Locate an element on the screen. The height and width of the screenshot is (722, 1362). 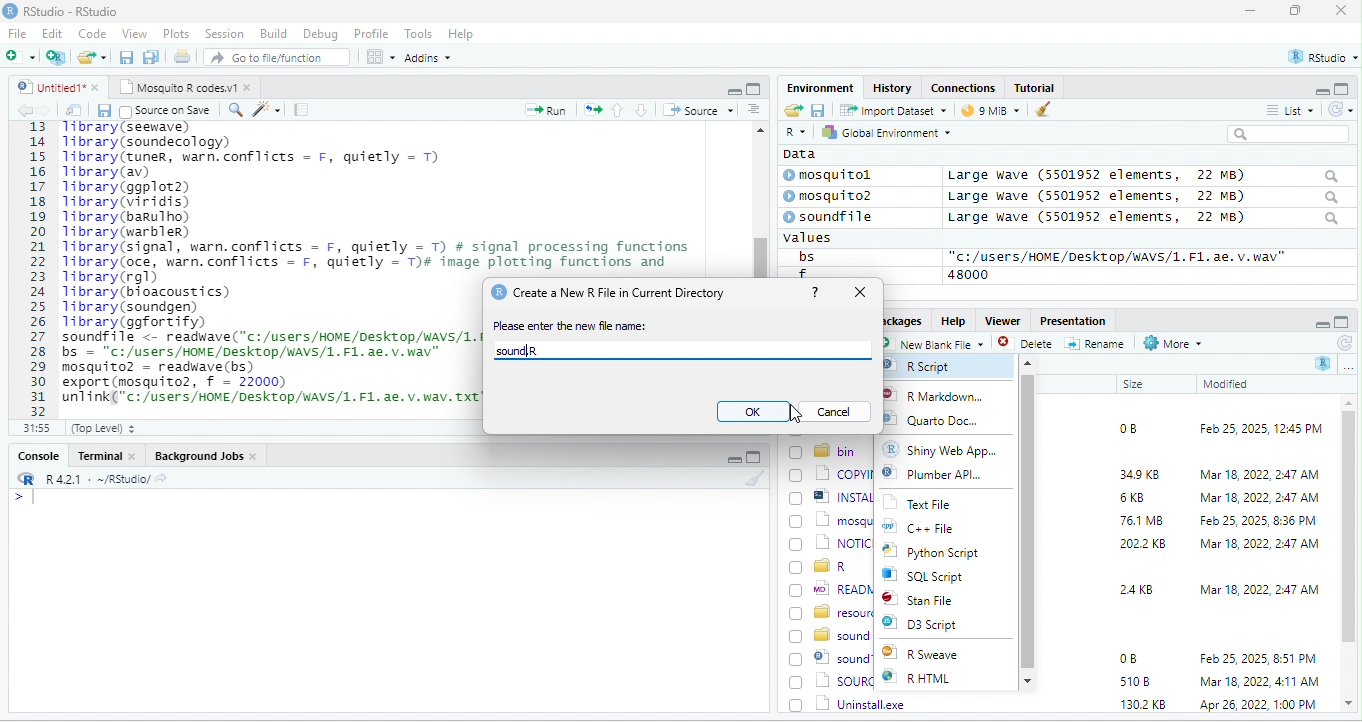
5108 is located at coordinates (1130, 680).